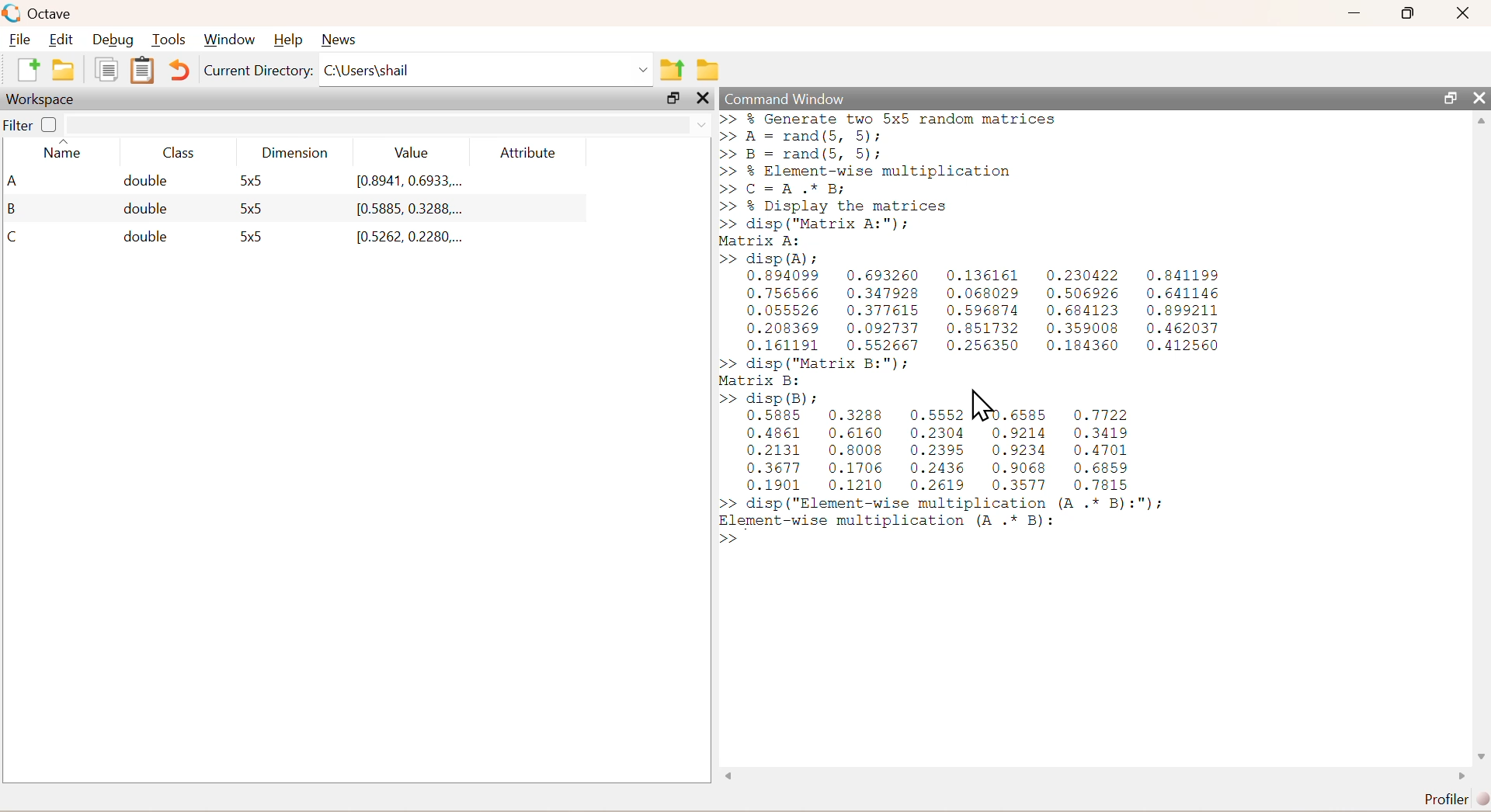 The height and width of the screenshot is (812, 1491). Describe the element at coordinates (181, 153) in the screenshot. I see `Class` at that location.